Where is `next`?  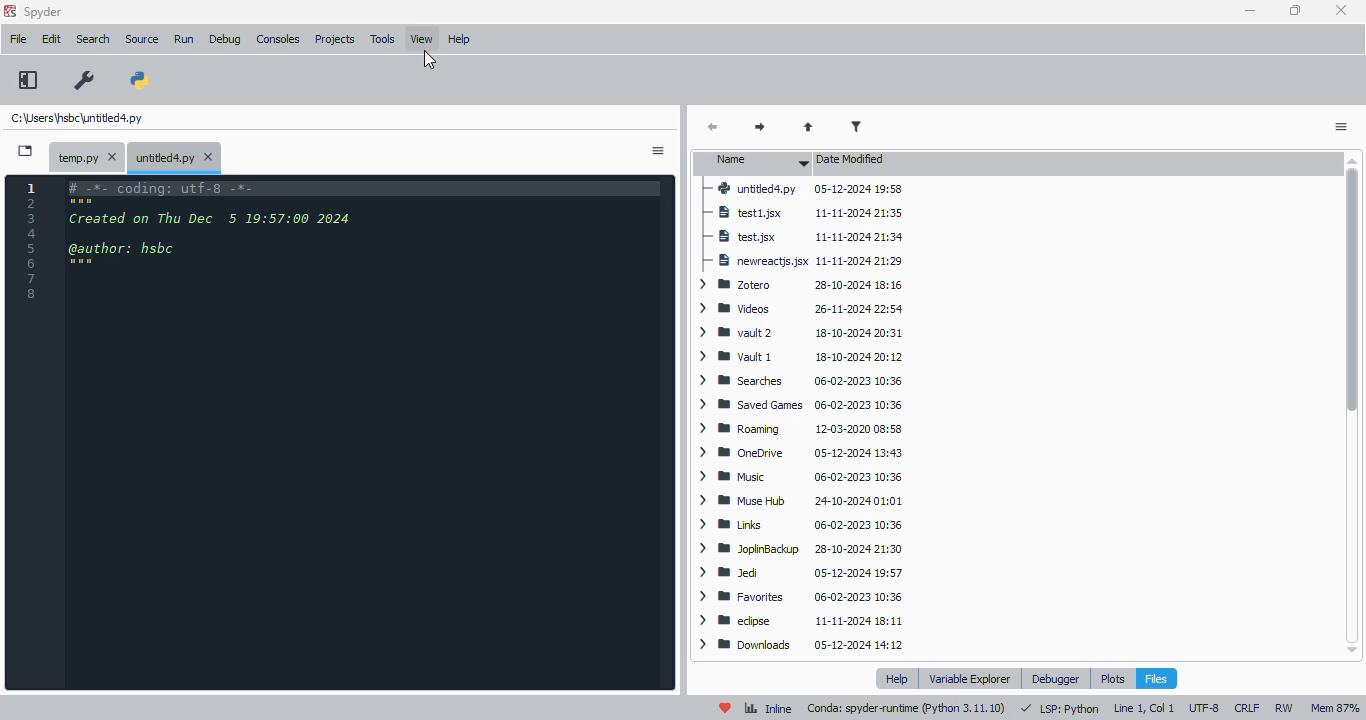
next is located at coordinates (762, 128).